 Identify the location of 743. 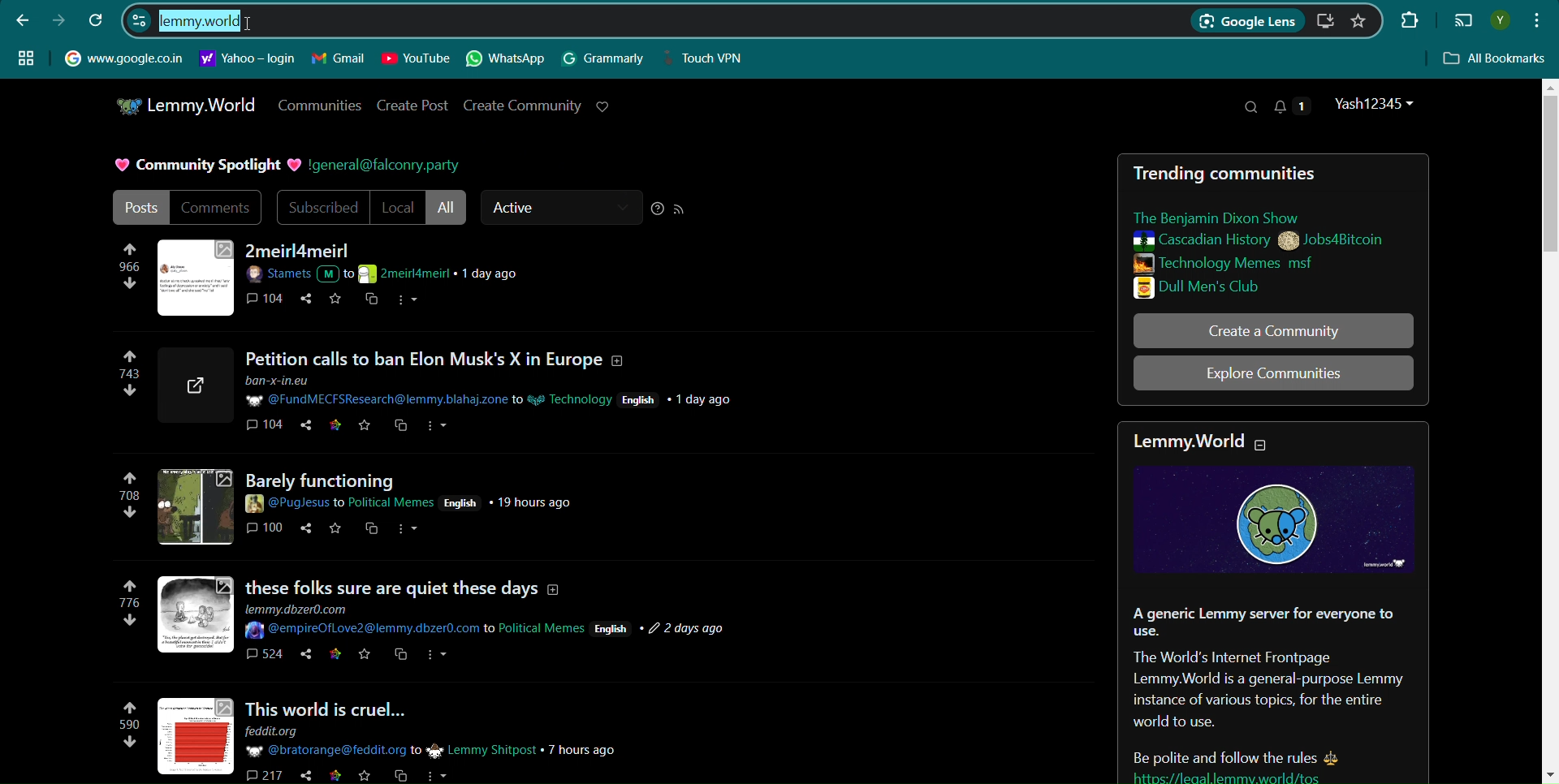
(123, 381).